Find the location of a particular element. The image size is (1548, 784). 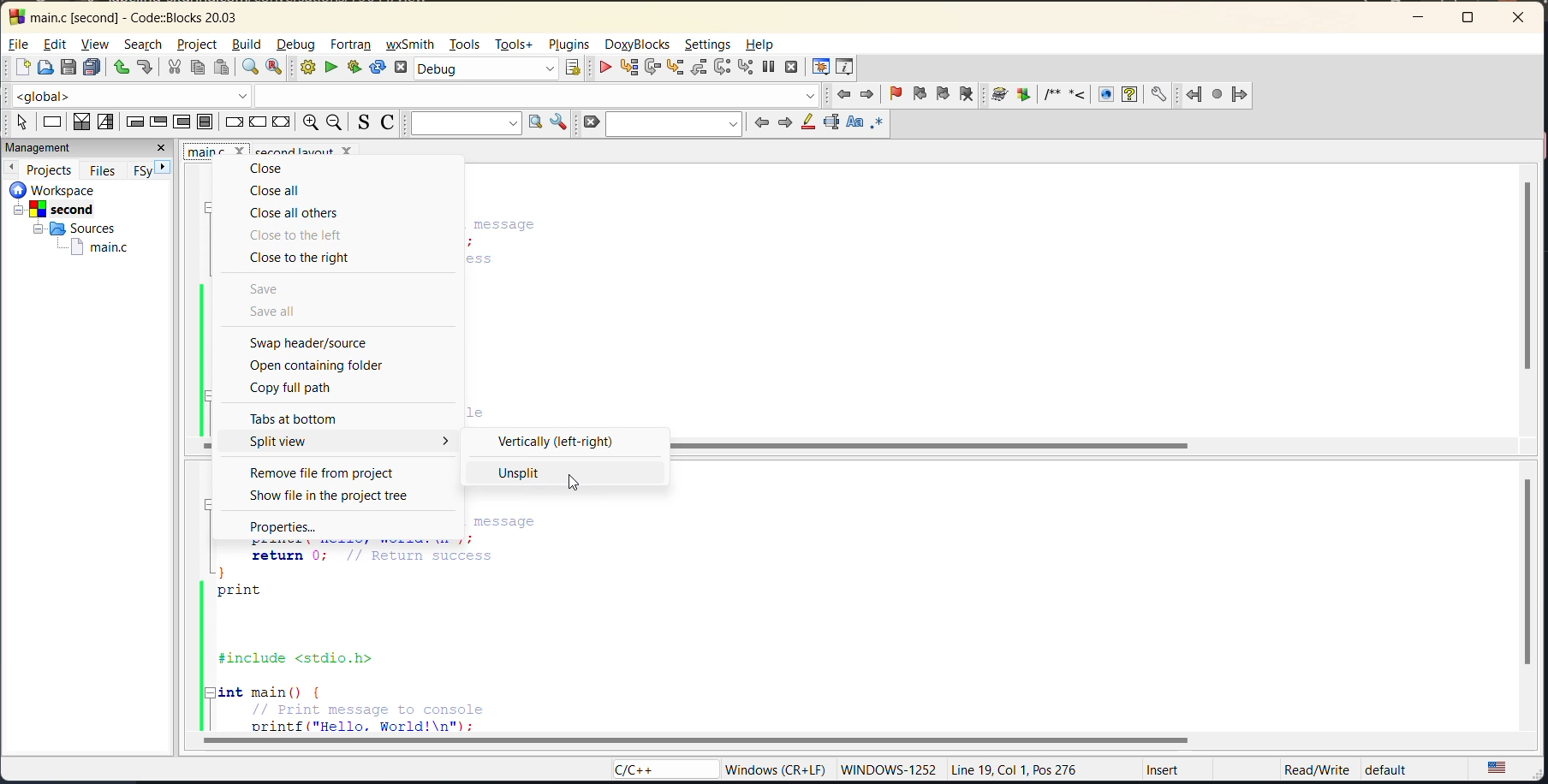

close is located at coordinates (162, 147).